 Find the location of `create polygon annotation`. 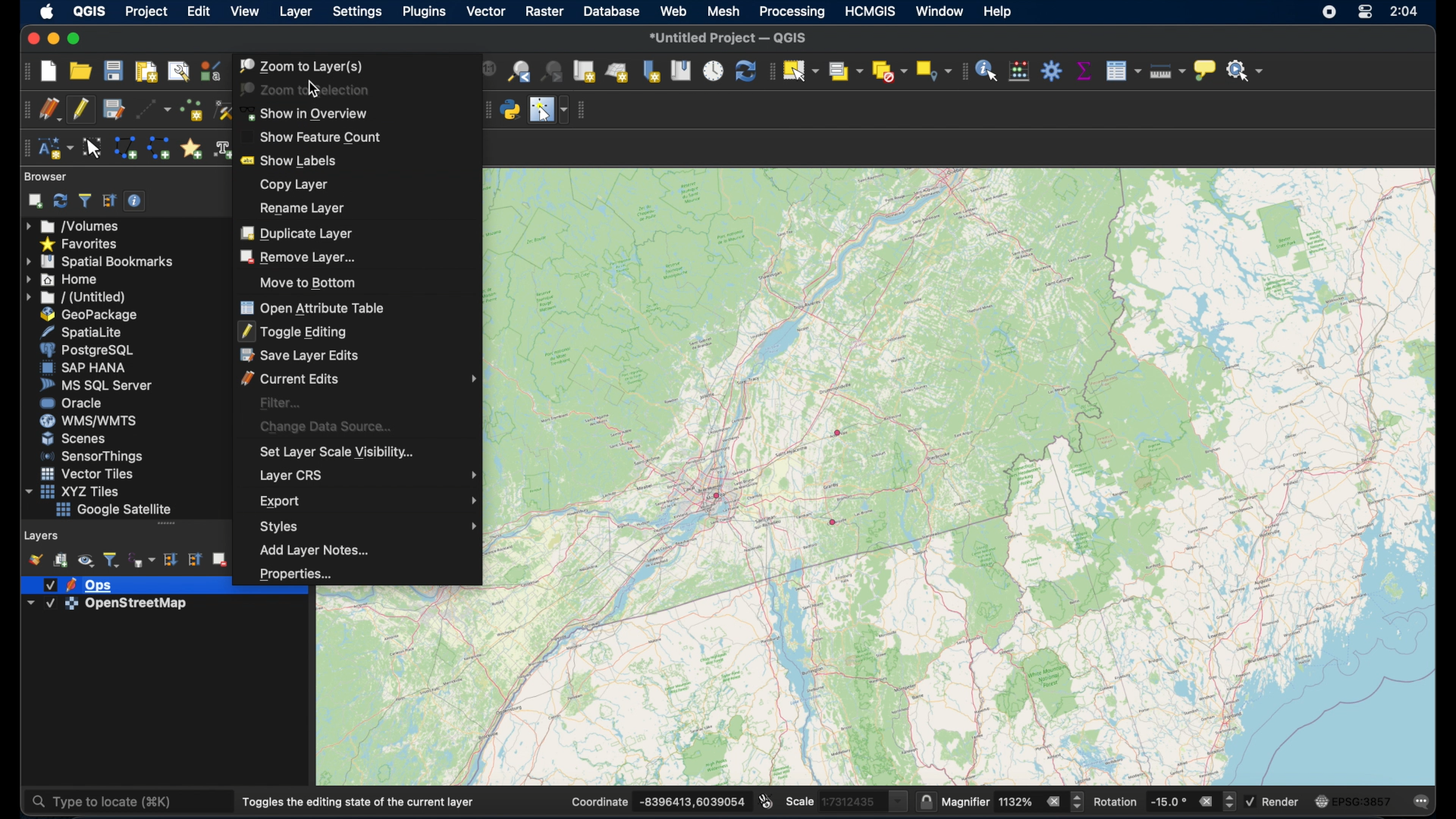

create polygon annotation is located at coordinates (126, 146).